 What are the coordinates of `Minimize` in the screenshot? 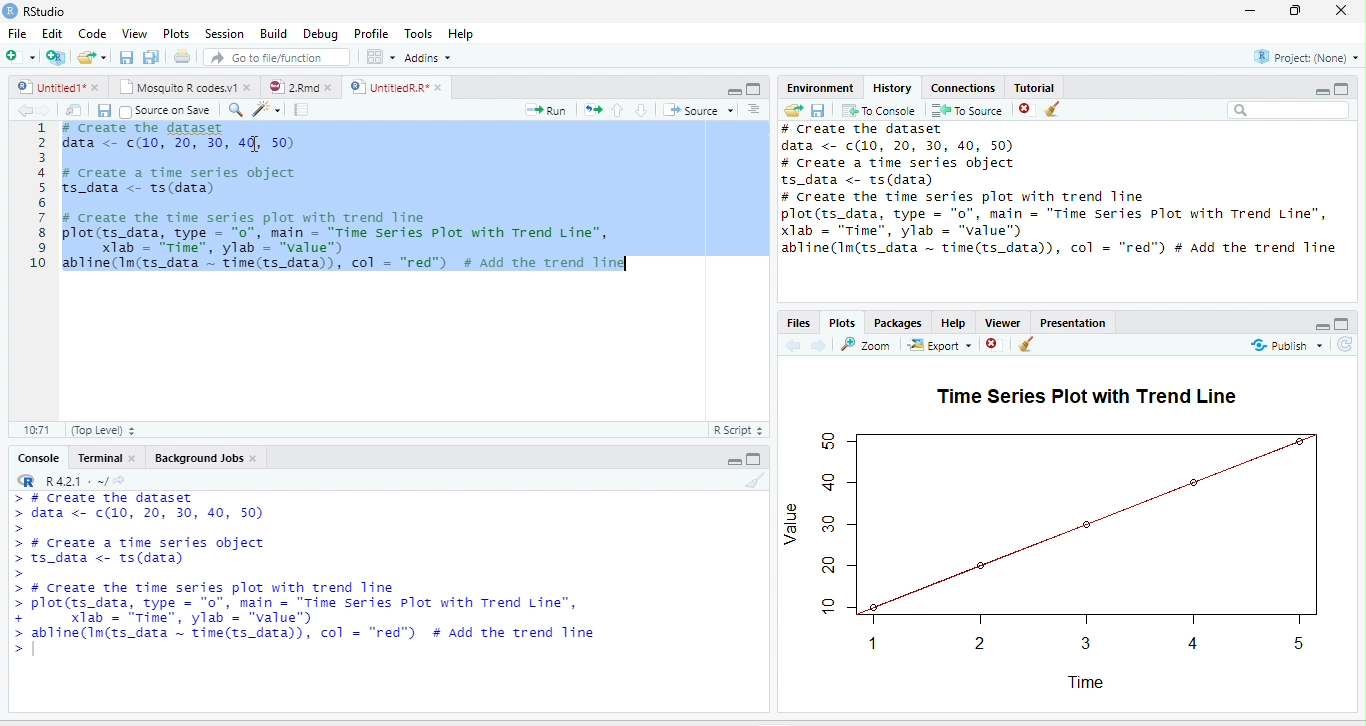 It's located at (1321, 91).